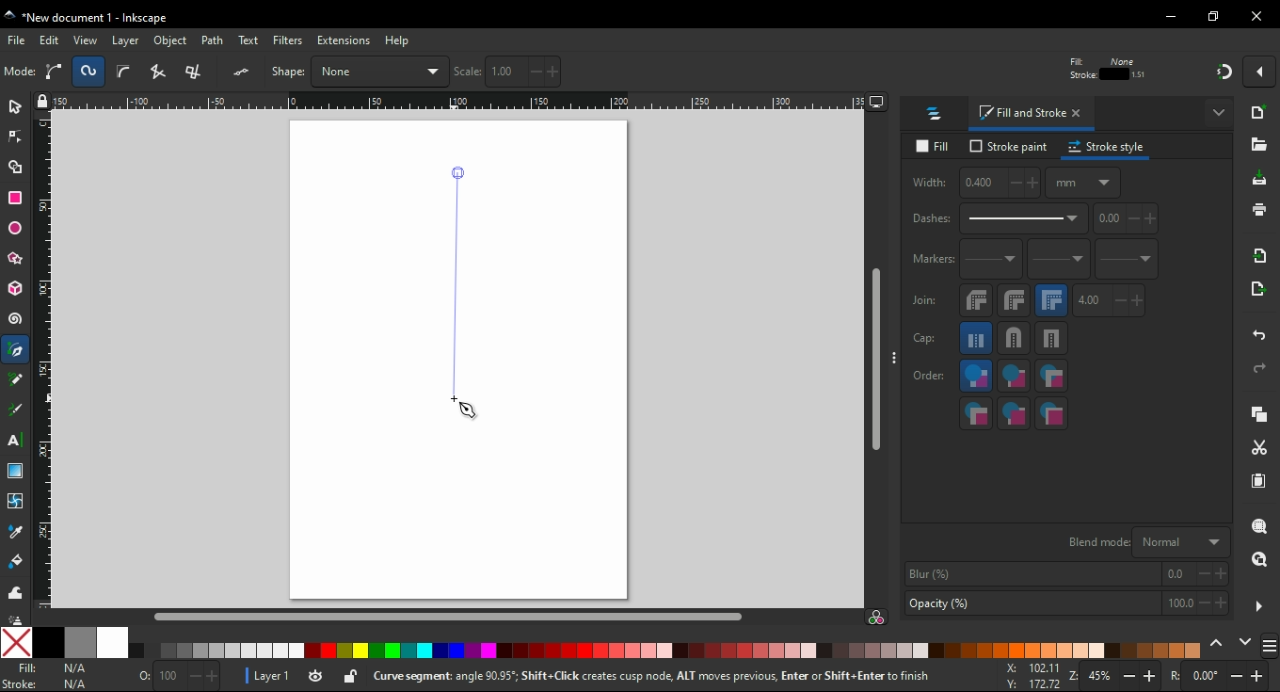 The height and width of the screenshot is (692, 1280). I want to click on Ruler, so click(451, 103).